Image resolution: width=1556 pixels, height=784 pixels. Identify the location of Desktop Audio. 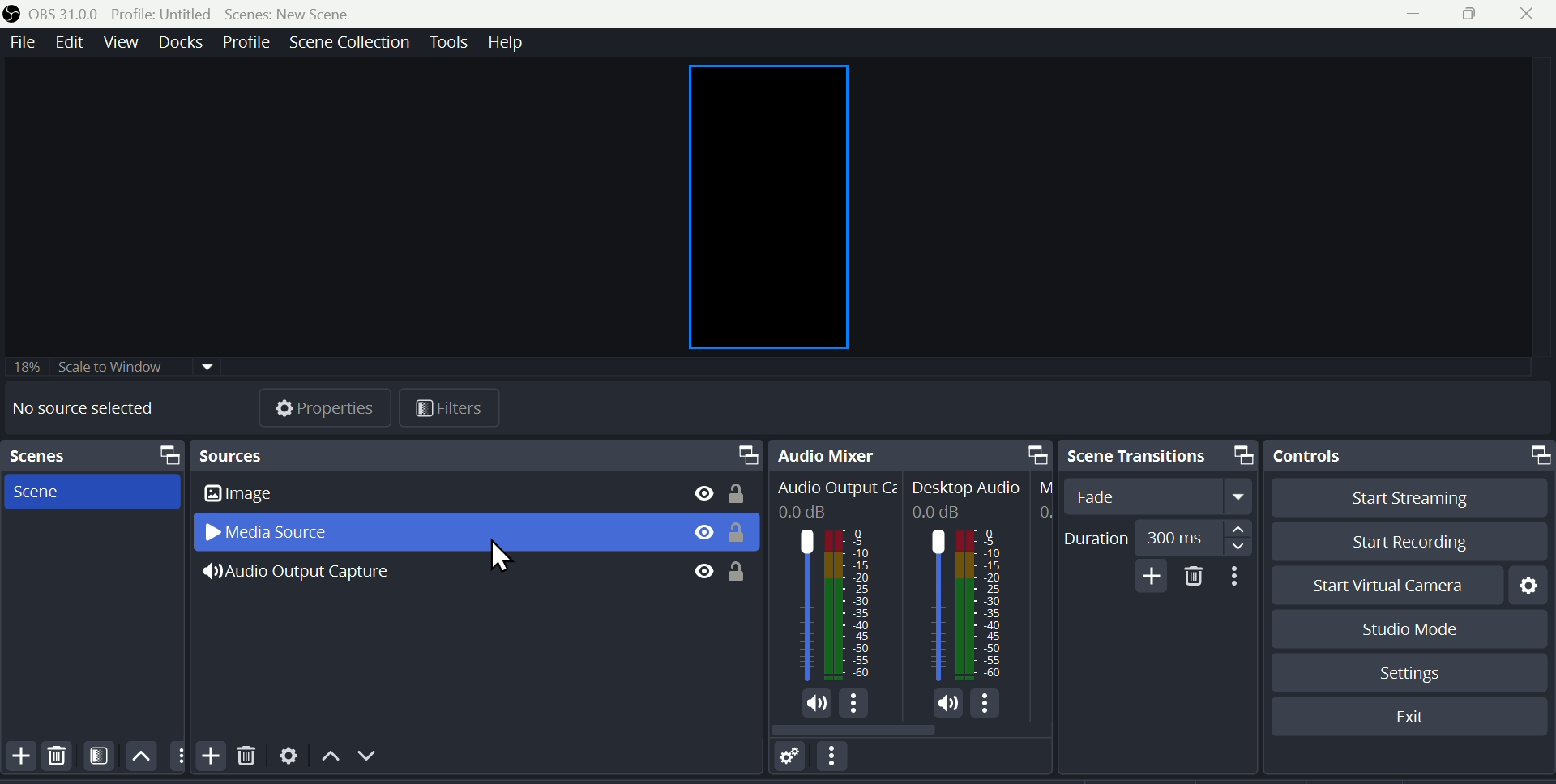
(967, 607).